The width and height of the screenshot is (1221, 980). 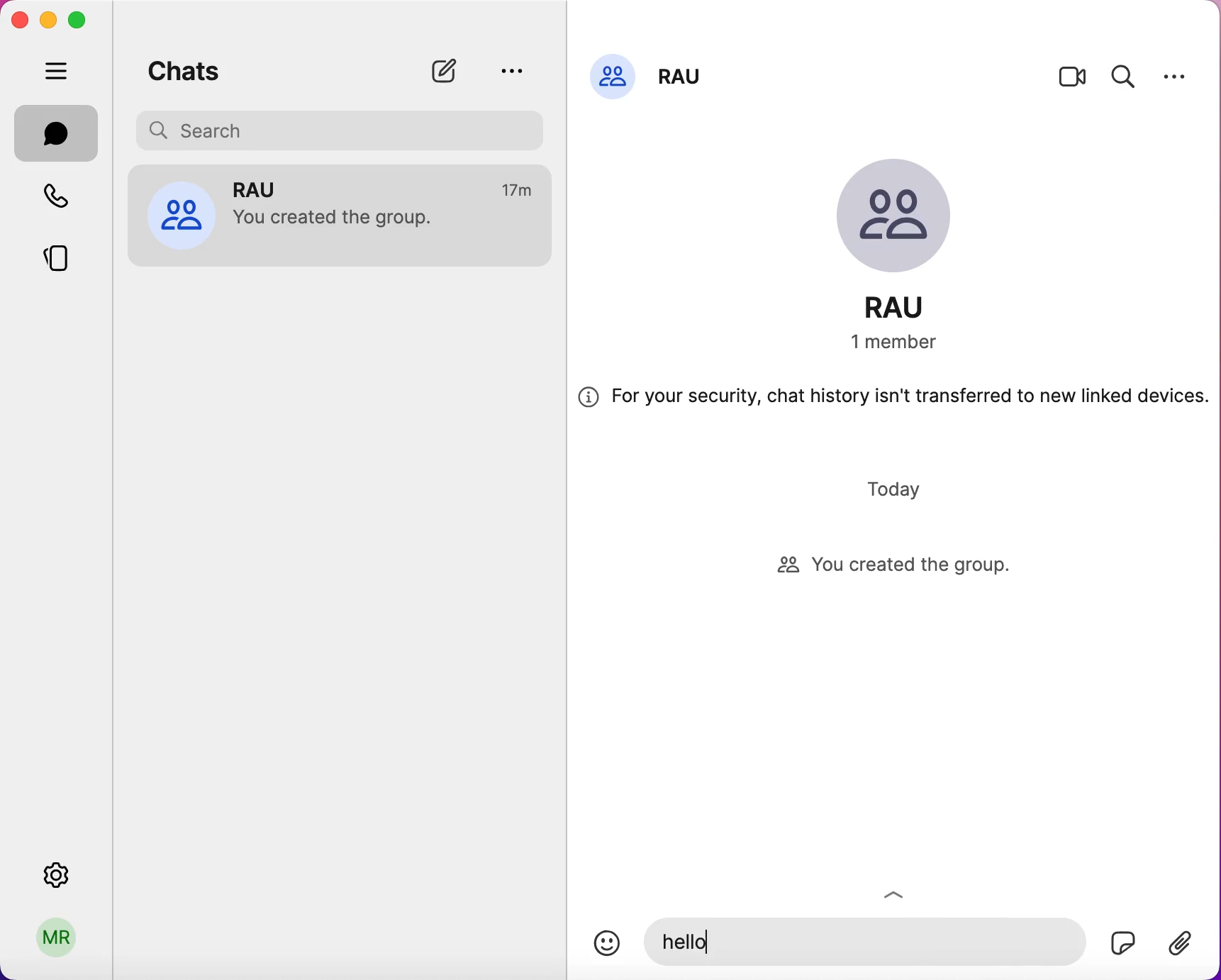 I want to click on settings, so click(x=60, y=871).